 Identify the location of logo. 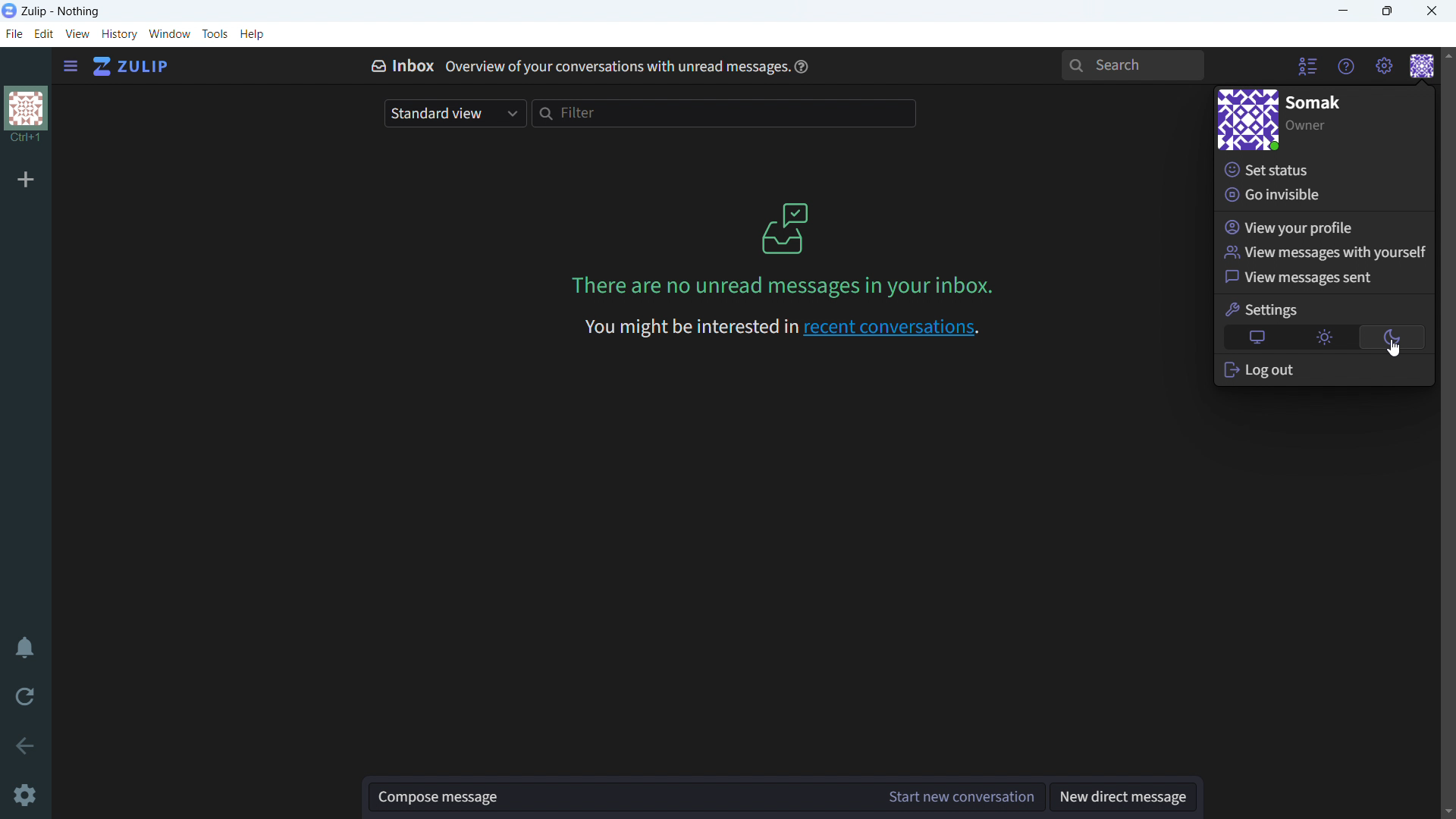
(9, 11).